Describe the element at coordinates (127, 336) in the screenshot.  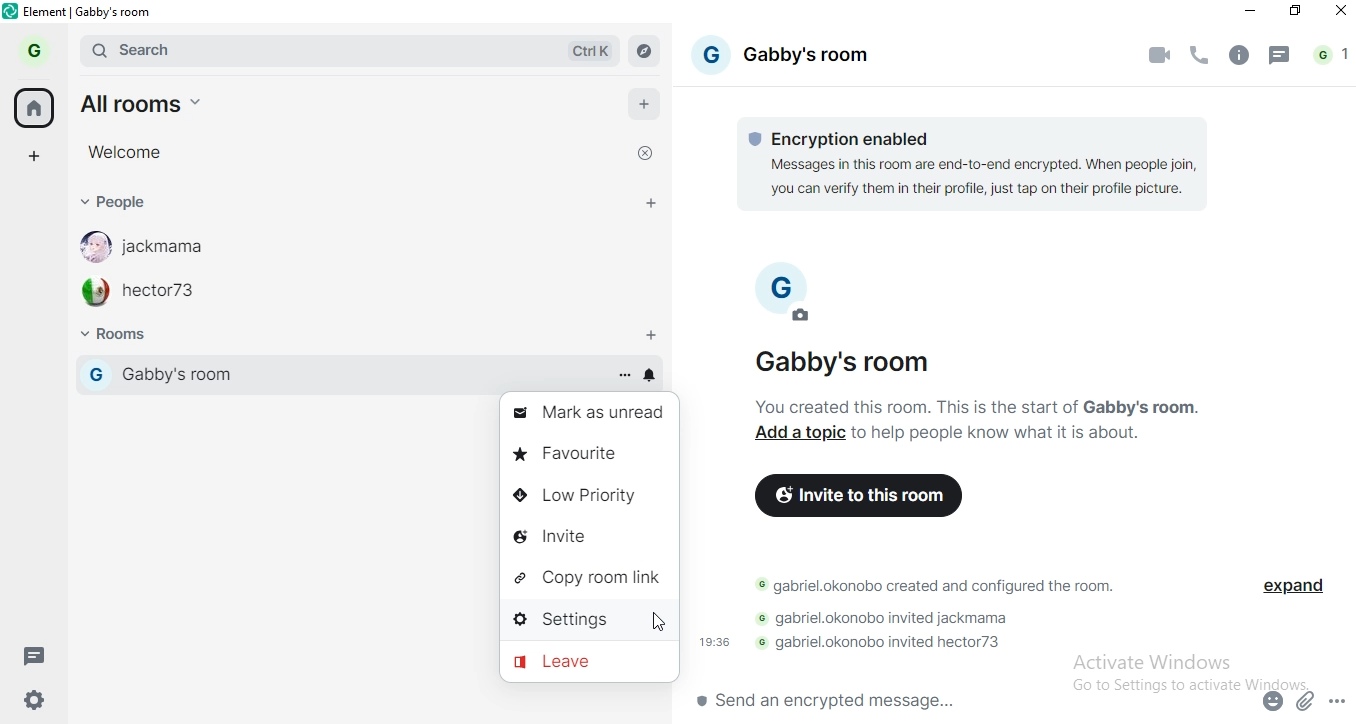
I see `rooms` at that location.